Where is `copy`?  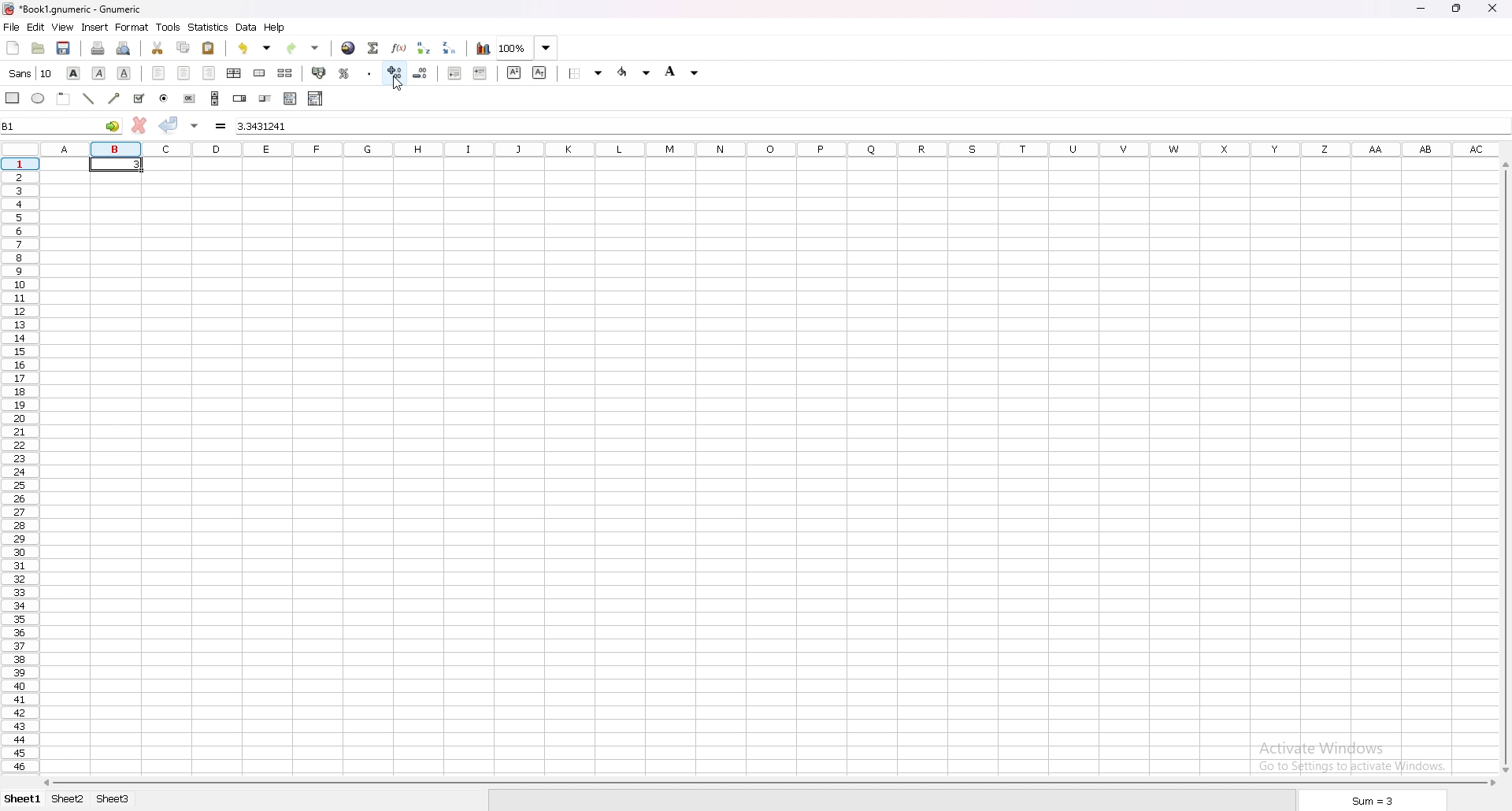
copy is located at coordinates (183, 47).